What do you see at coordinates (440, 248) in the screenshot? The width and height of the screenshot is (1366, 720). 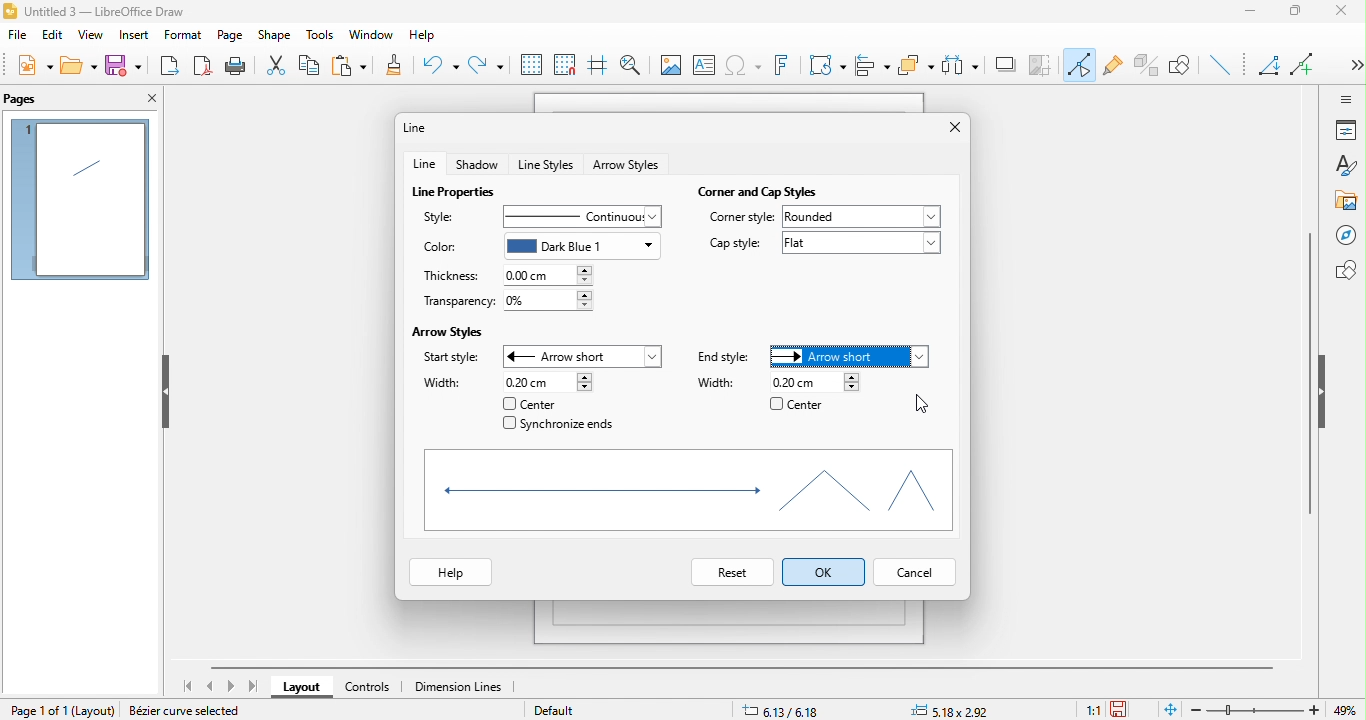 I see `color` at bounding box center [440, 248].